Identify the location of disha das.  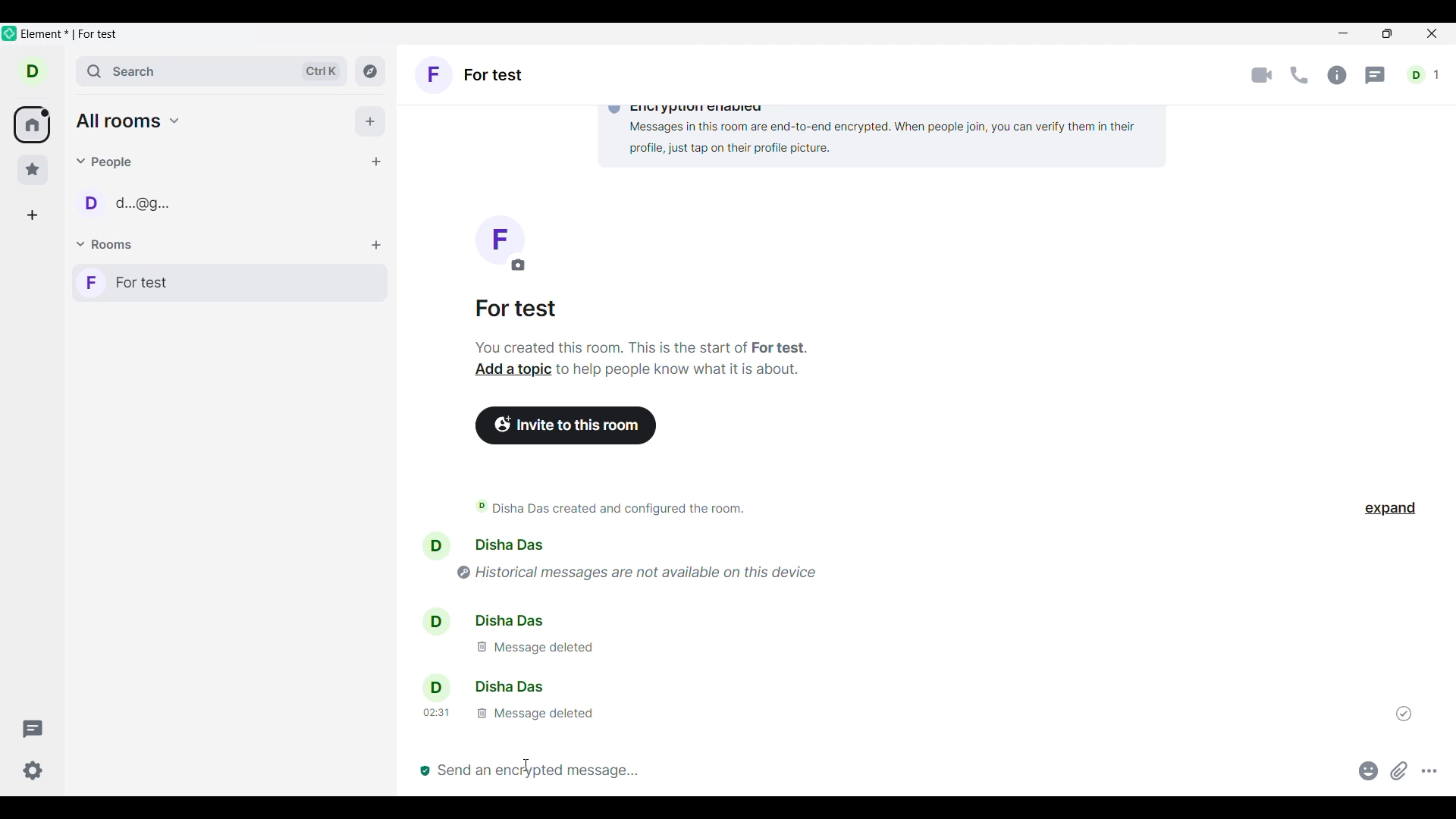
(487, 687).